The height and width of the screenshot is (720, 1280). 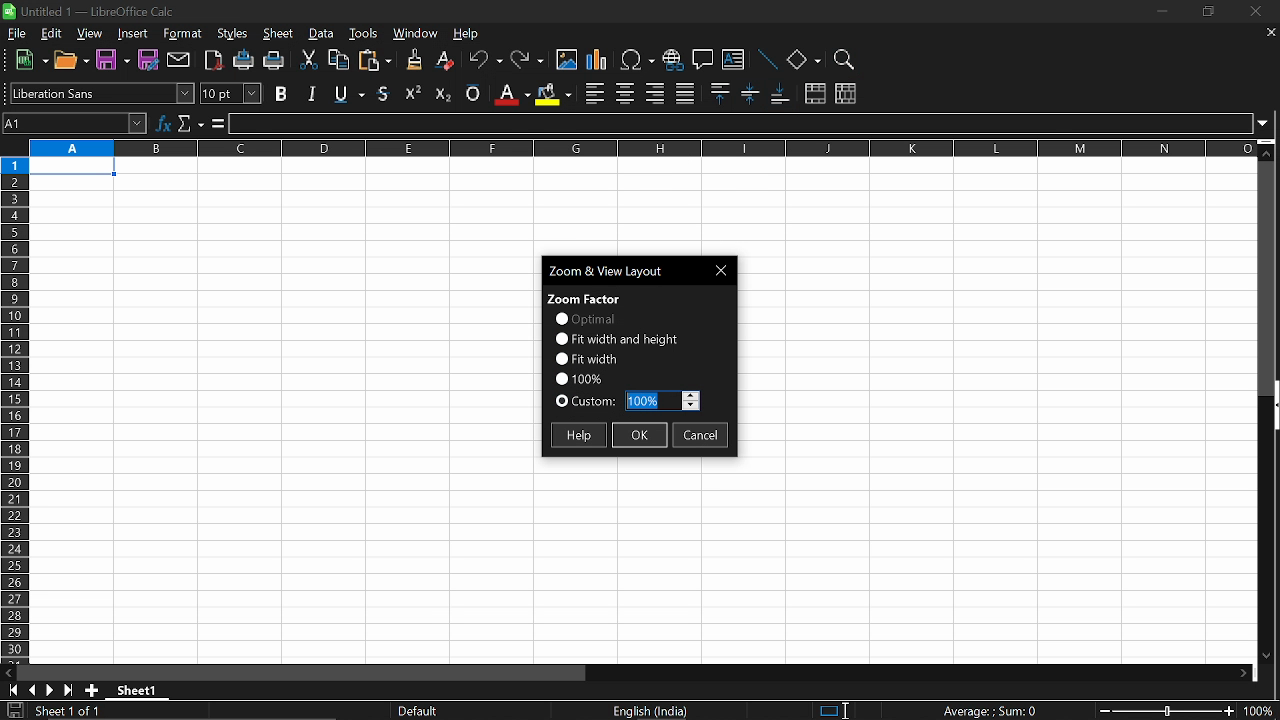 I want to click on fit width and height, so click(x=619, y=338).